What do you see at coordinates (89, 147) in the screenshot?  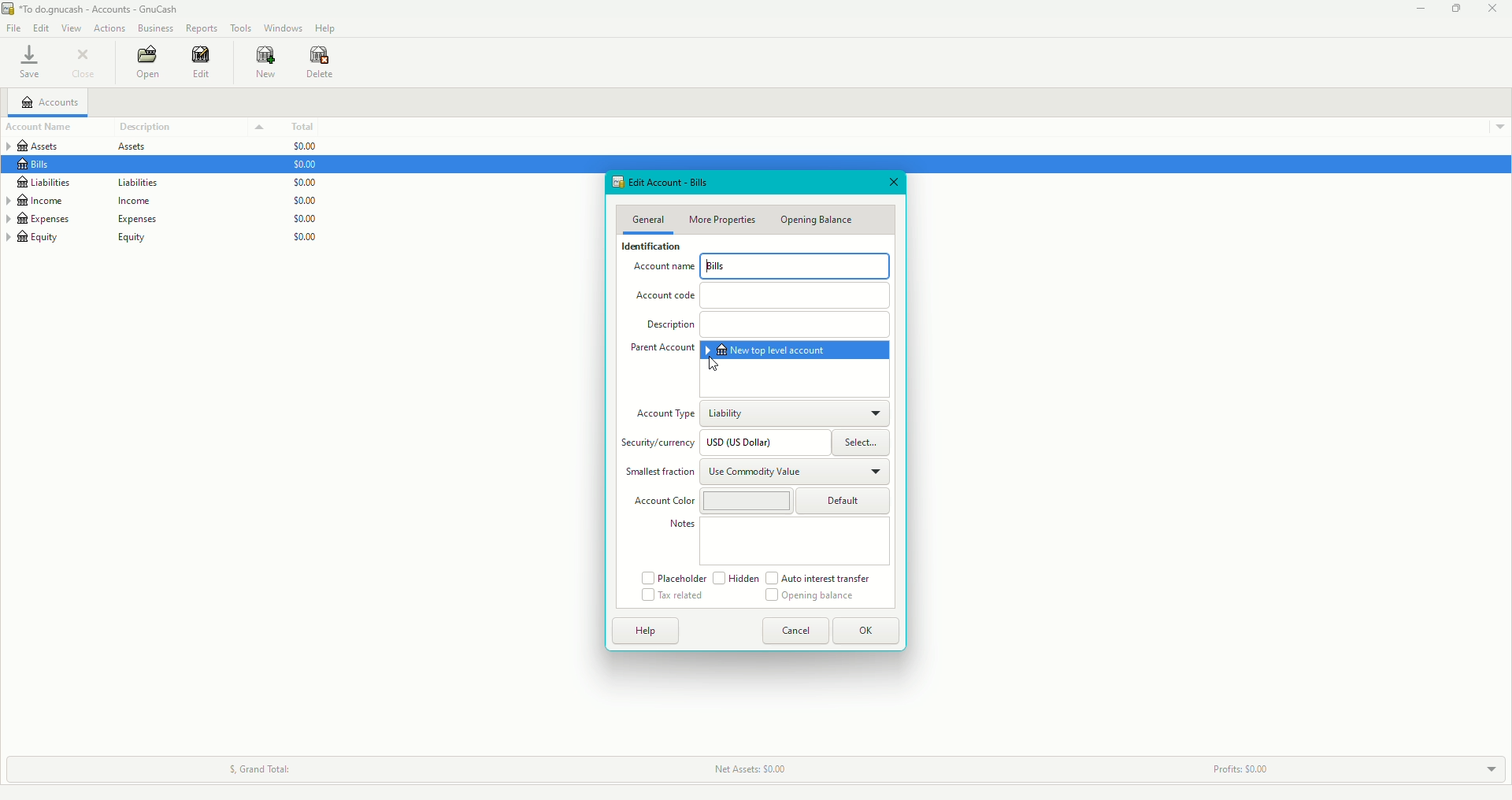 I see `Assets` at bounding box center [89, 147].